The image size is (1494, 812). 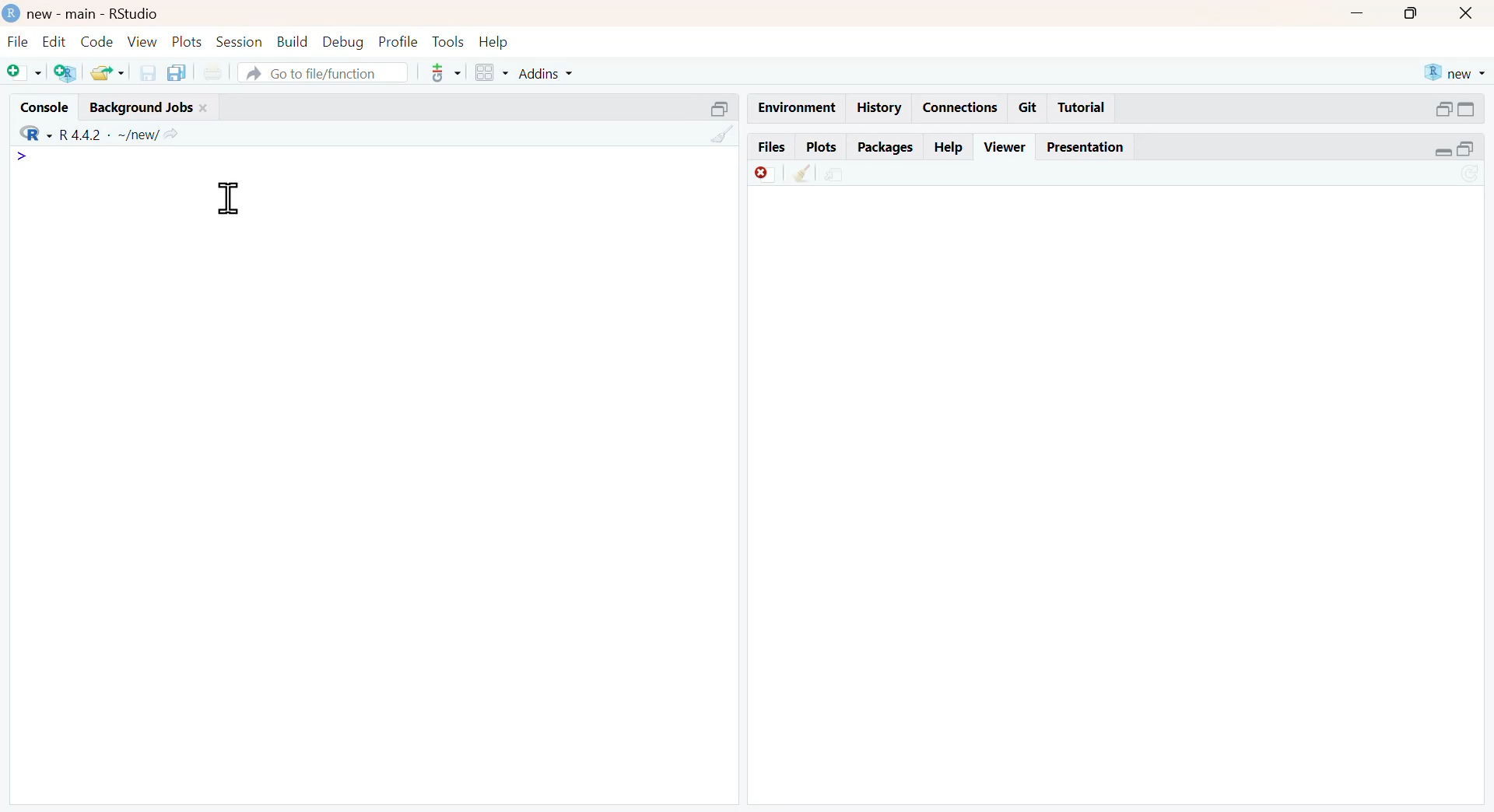 I want to click on close, so click(x=1468, y=12).